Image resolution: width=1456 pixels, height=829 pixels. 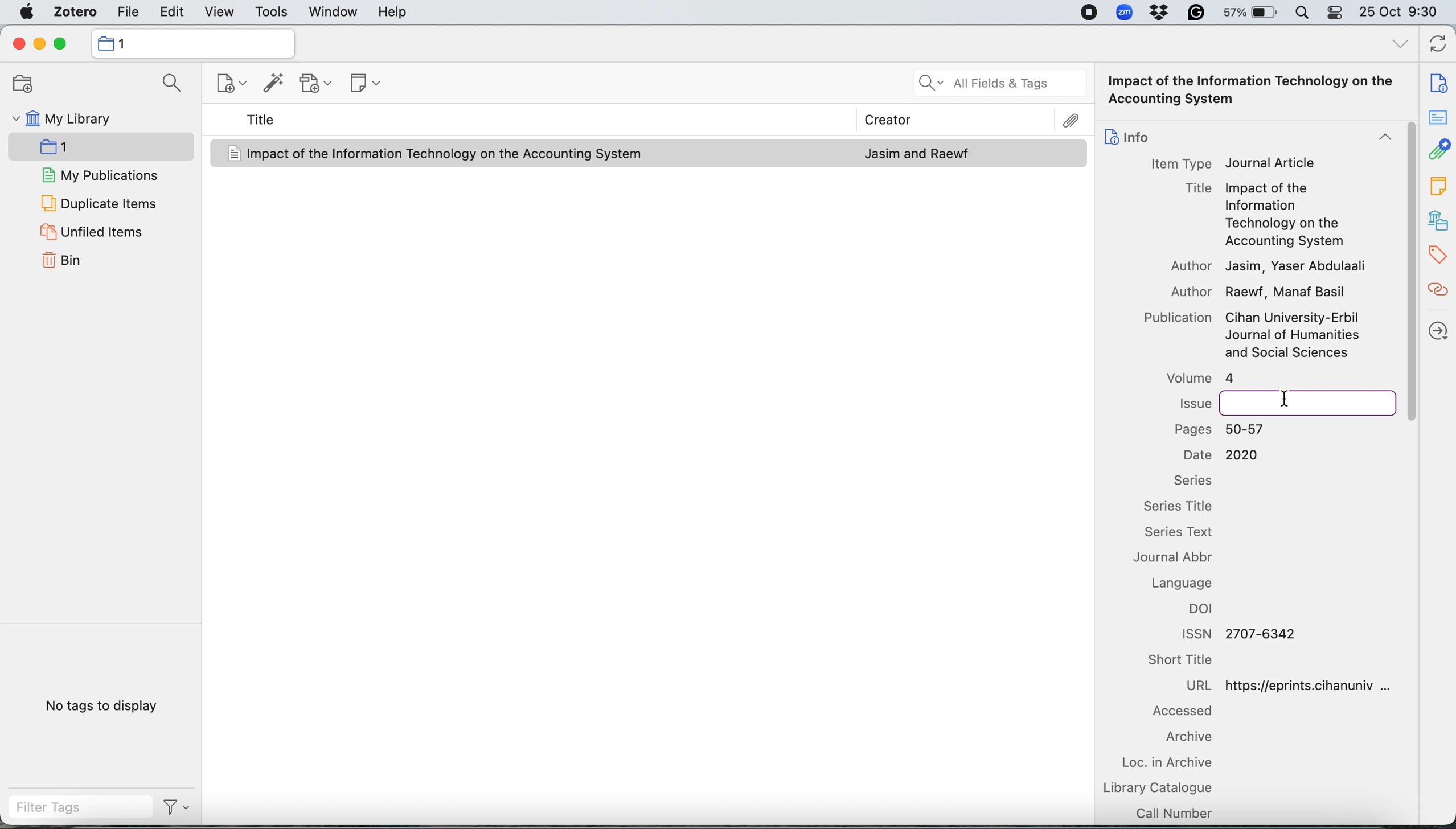 What do you see at coordinates (62, 262) in the screenshot?
I see `bin` at bounding box center [62, 262].